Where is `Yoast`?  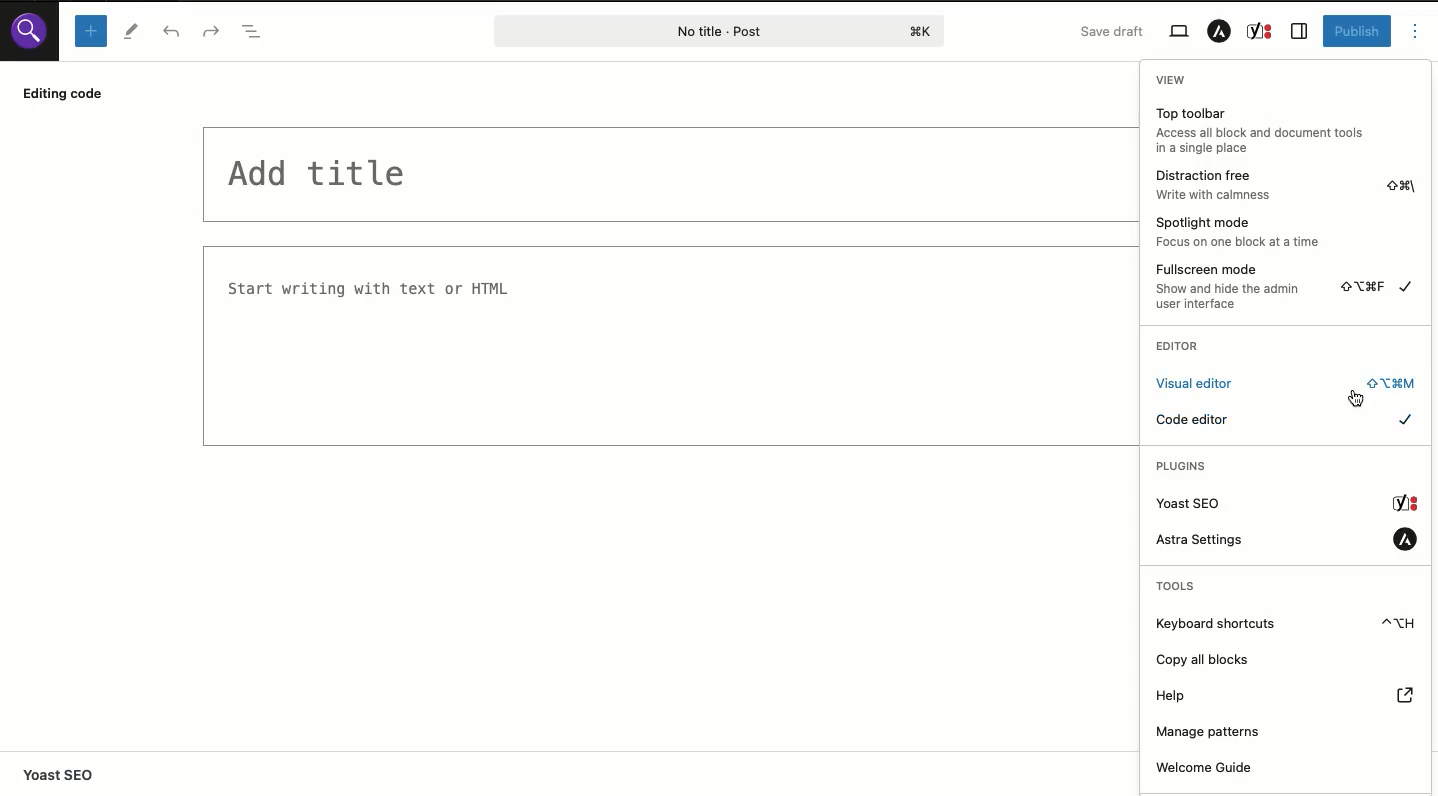 Yoast is located at coordinates (1285, 504).